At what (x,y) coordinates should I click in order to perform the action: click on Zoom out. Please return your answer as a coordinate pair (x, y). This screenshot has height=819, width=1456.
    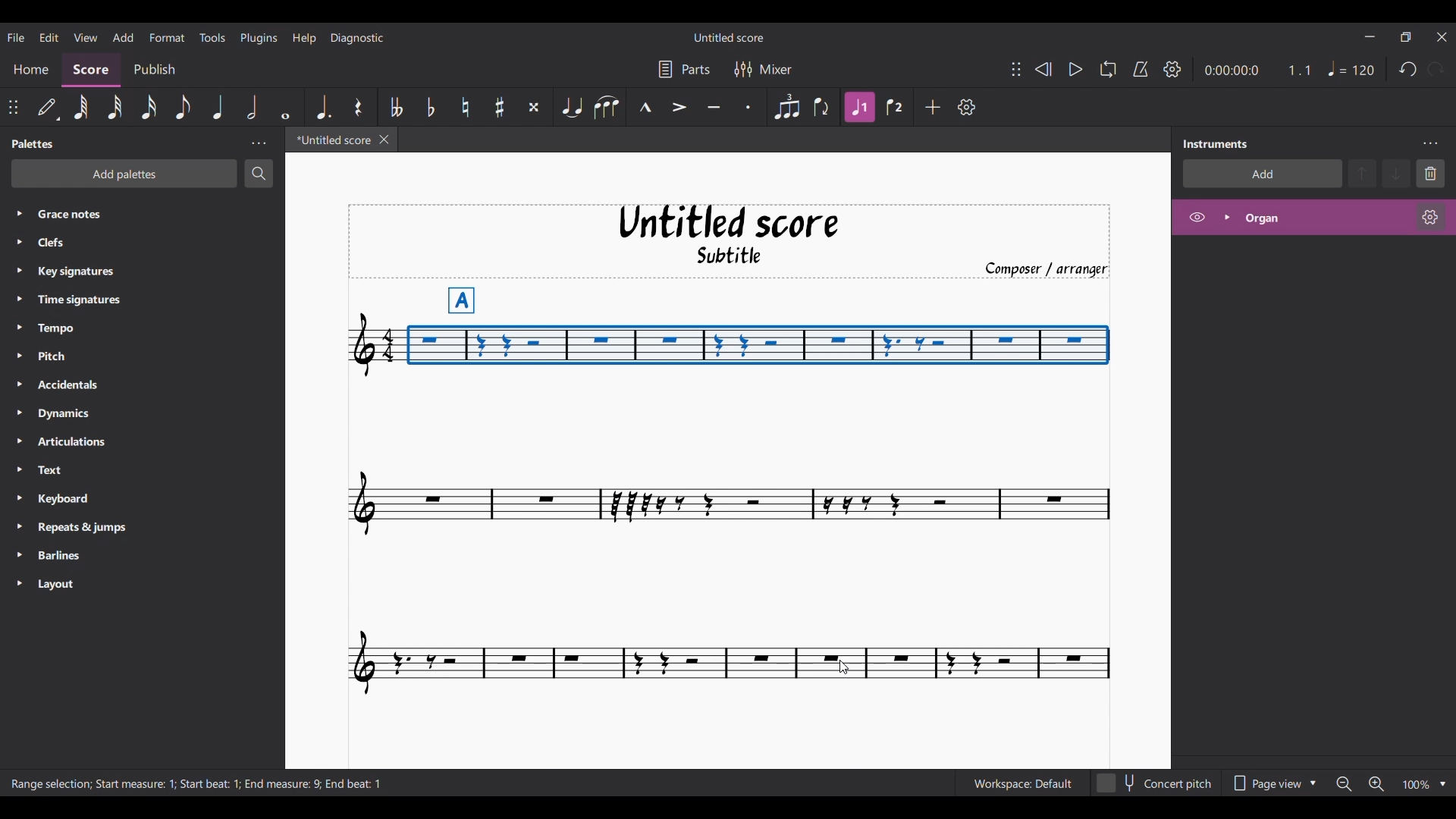
    Looking at the image, I should click on (1344, 785).